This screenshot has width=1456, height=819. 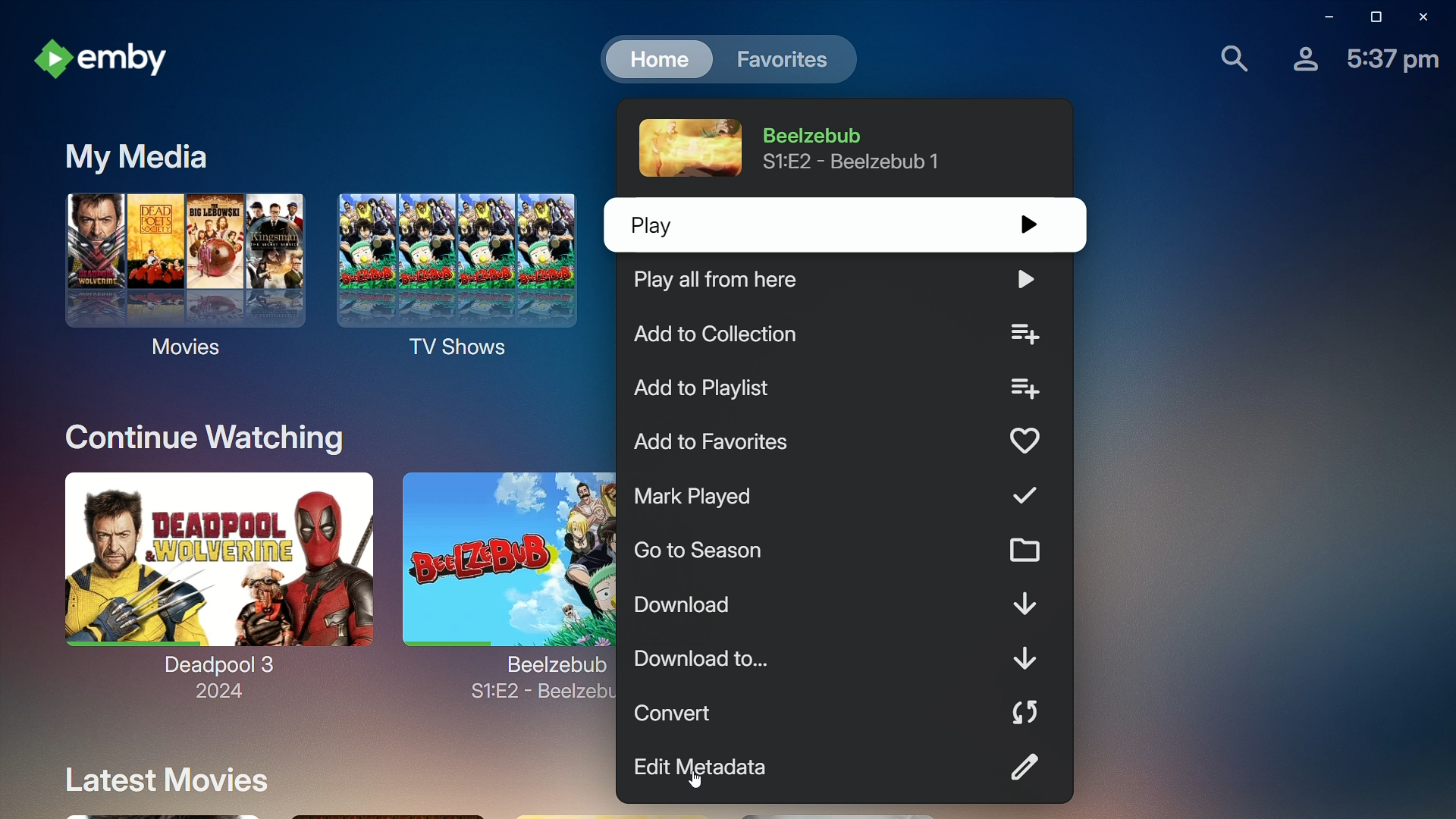 What do you see at coordinates (653, 59) in the screenshot?
I see `Home` at bounding box center [653, 59].